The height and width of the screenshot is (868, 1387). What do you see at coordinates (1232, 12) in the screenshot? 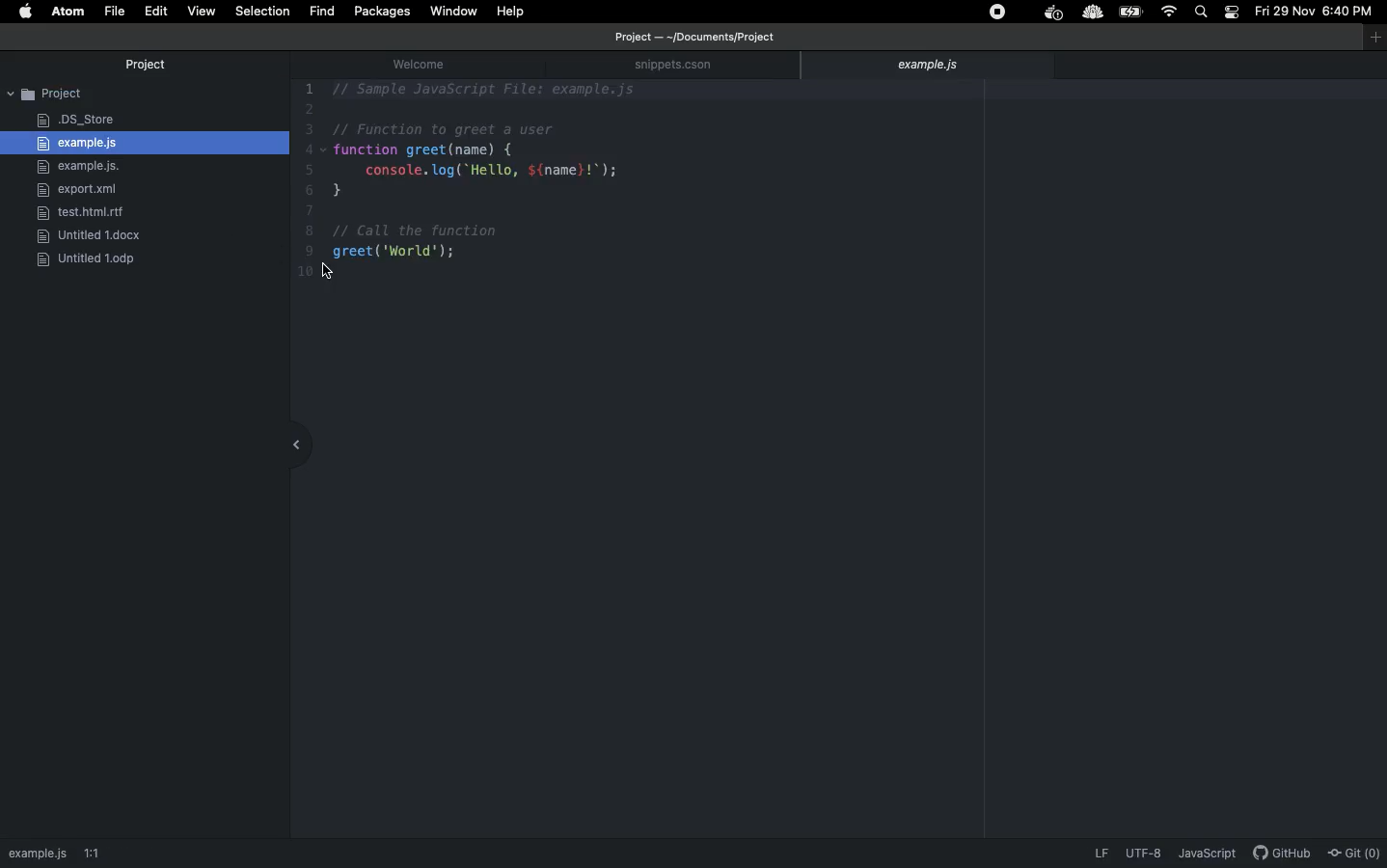
I see `Notification` at bounding box center [1232, 12].